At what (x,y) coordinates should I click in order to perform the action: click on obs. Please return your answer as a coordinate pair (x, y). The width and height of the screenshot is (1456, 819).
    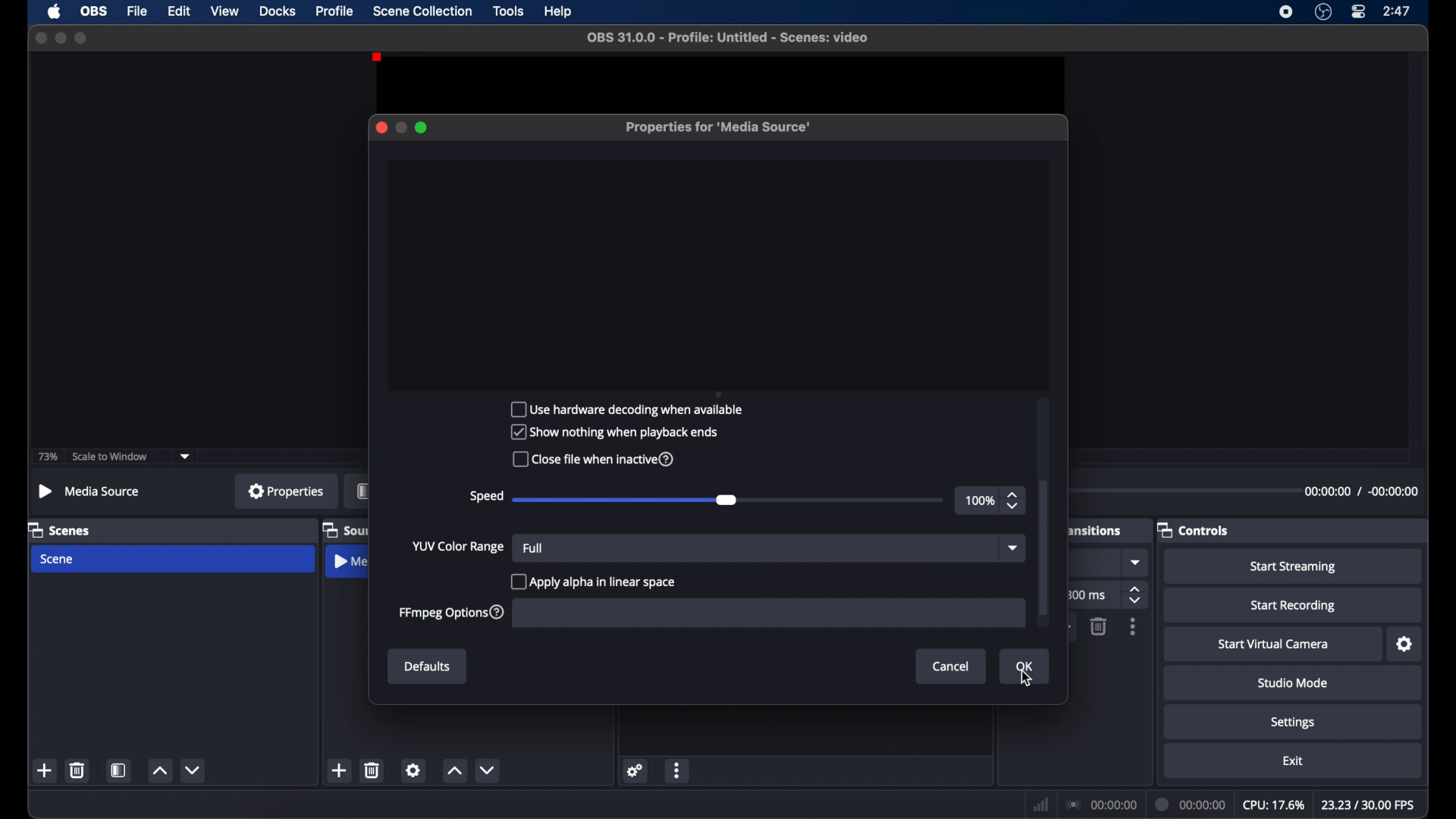
    Looking at the image, I should click on (94, 11).